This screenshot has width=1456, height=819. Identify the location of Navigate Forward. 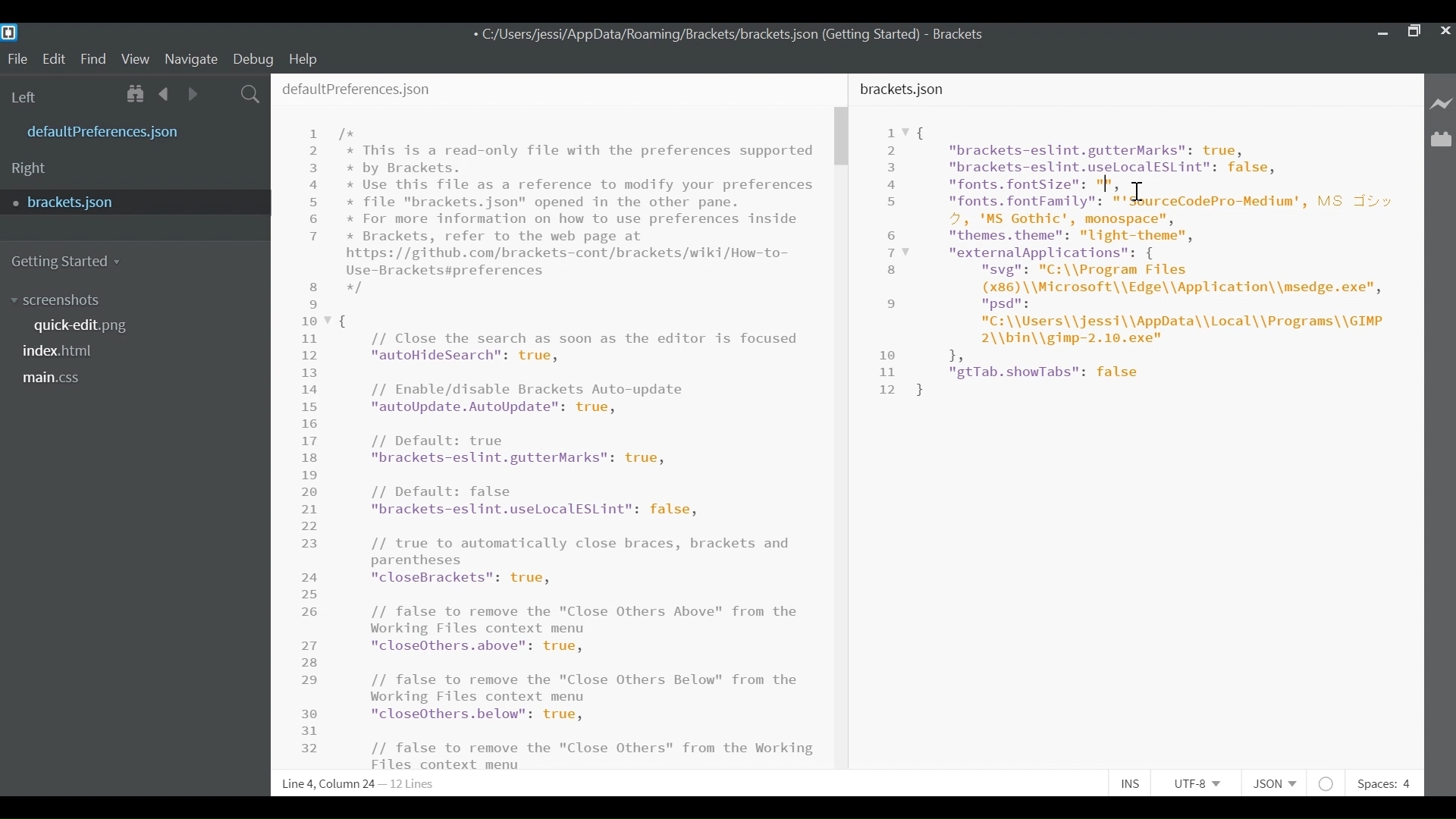
(190, 96).